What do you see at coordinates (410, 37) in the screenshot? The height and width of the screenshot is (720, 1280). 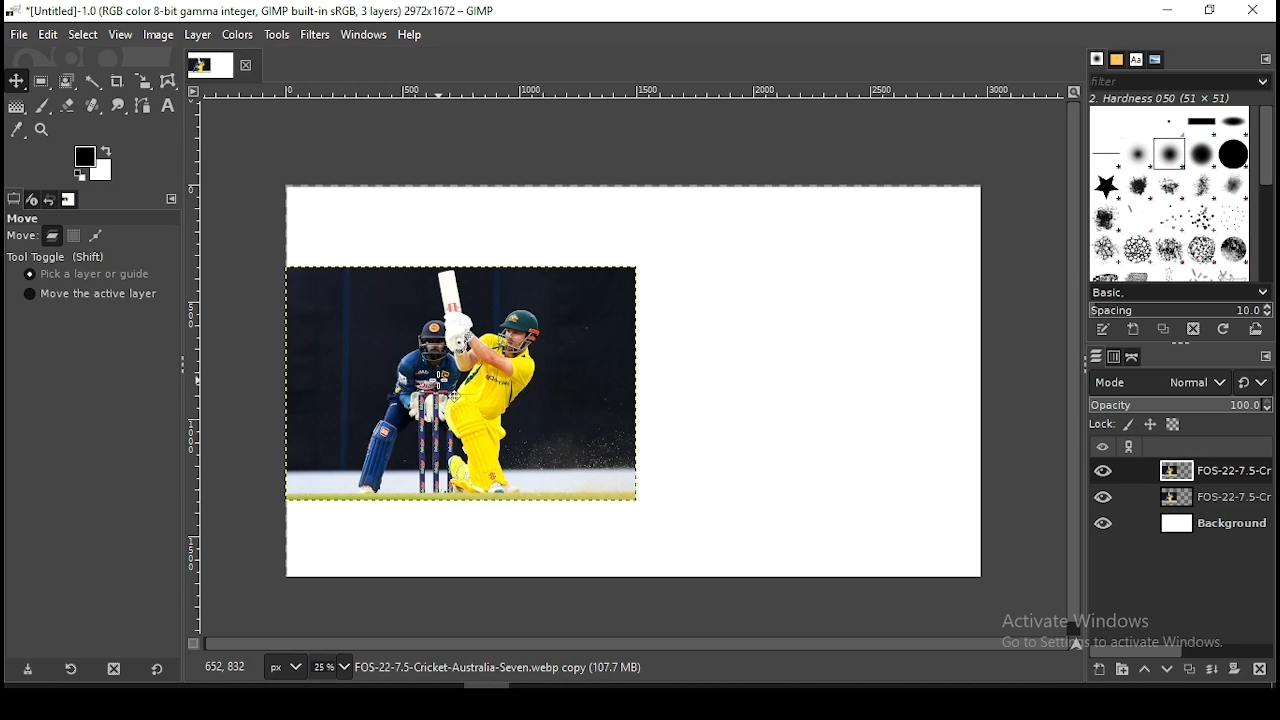 I see `help` at bounding box center [410, 37].